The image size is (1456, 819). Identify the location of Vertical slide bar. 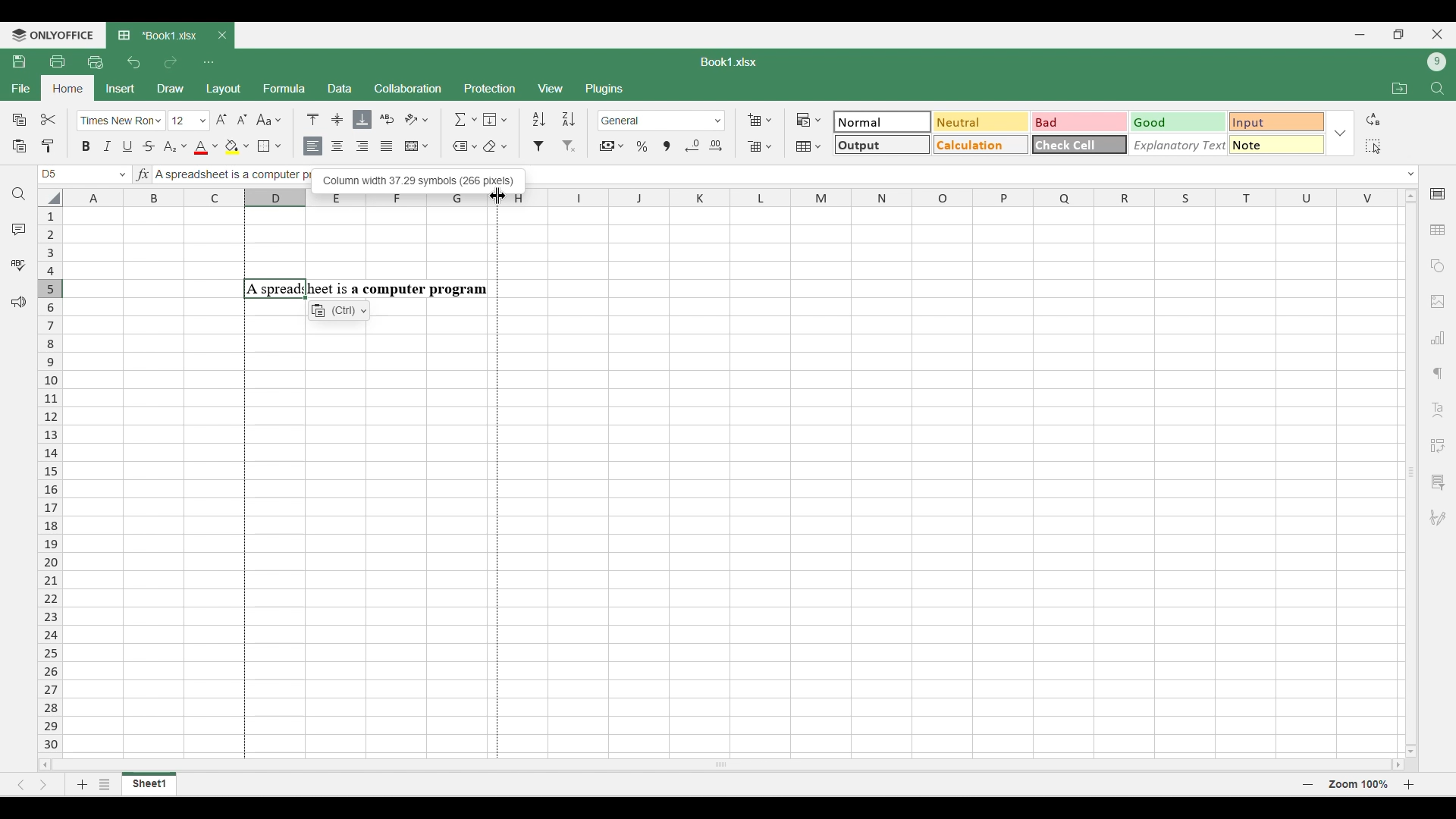
(1412, 472).